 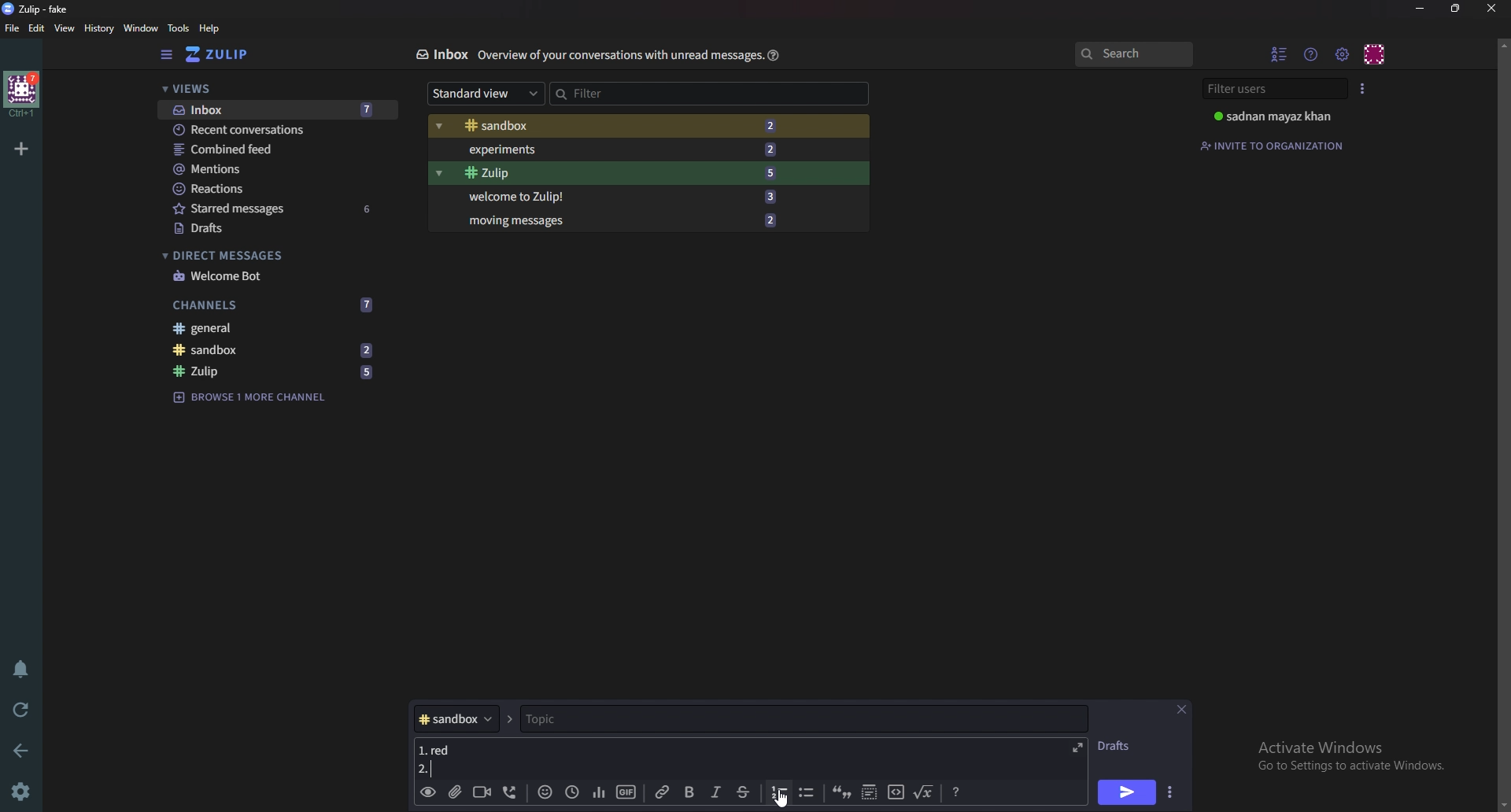 I want to click on Expand, so click(x=1076, y=746).